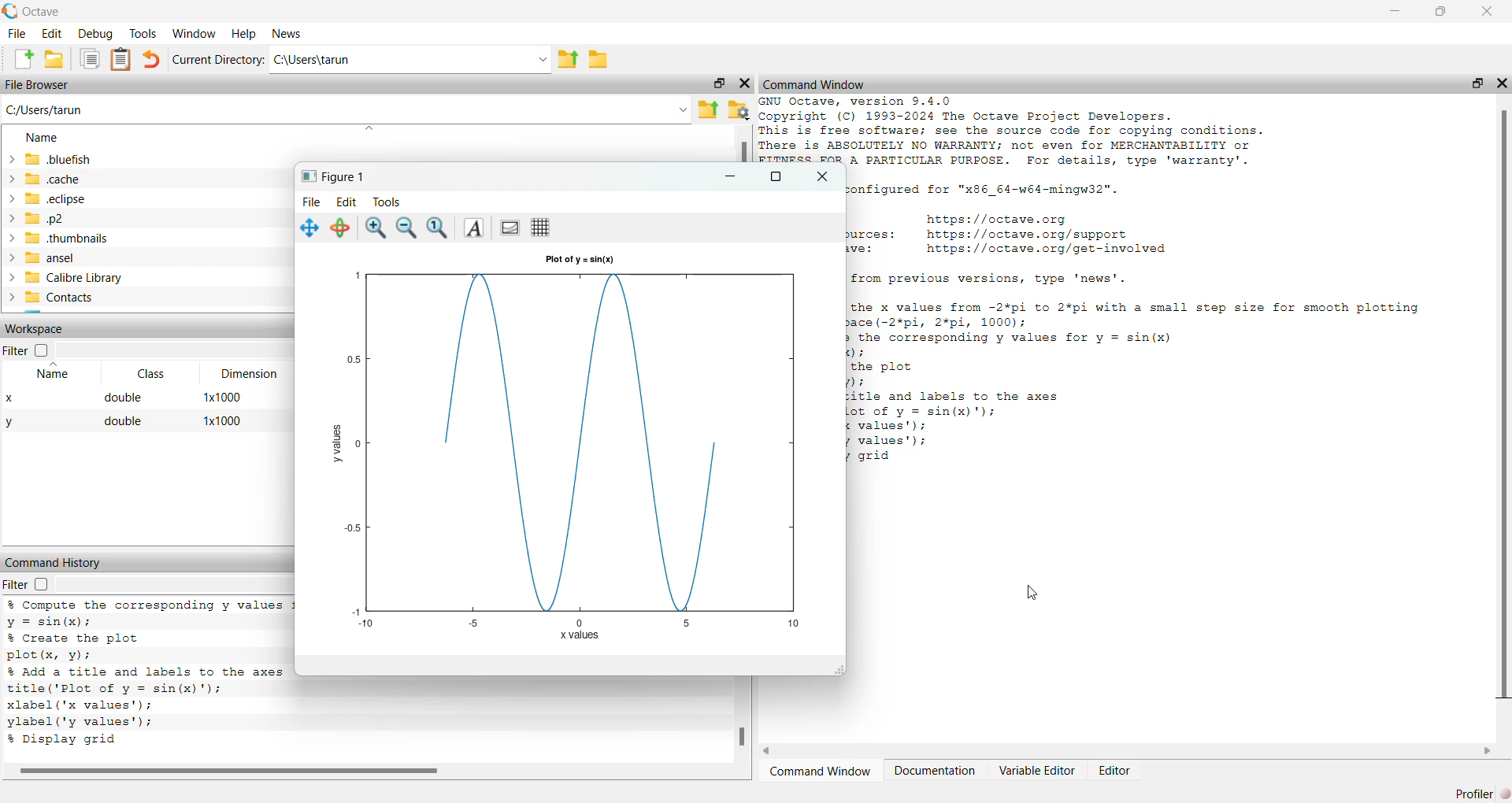 This screenshot has height=803, width=1512. I want to click on % Display grid, so click(63, 739).